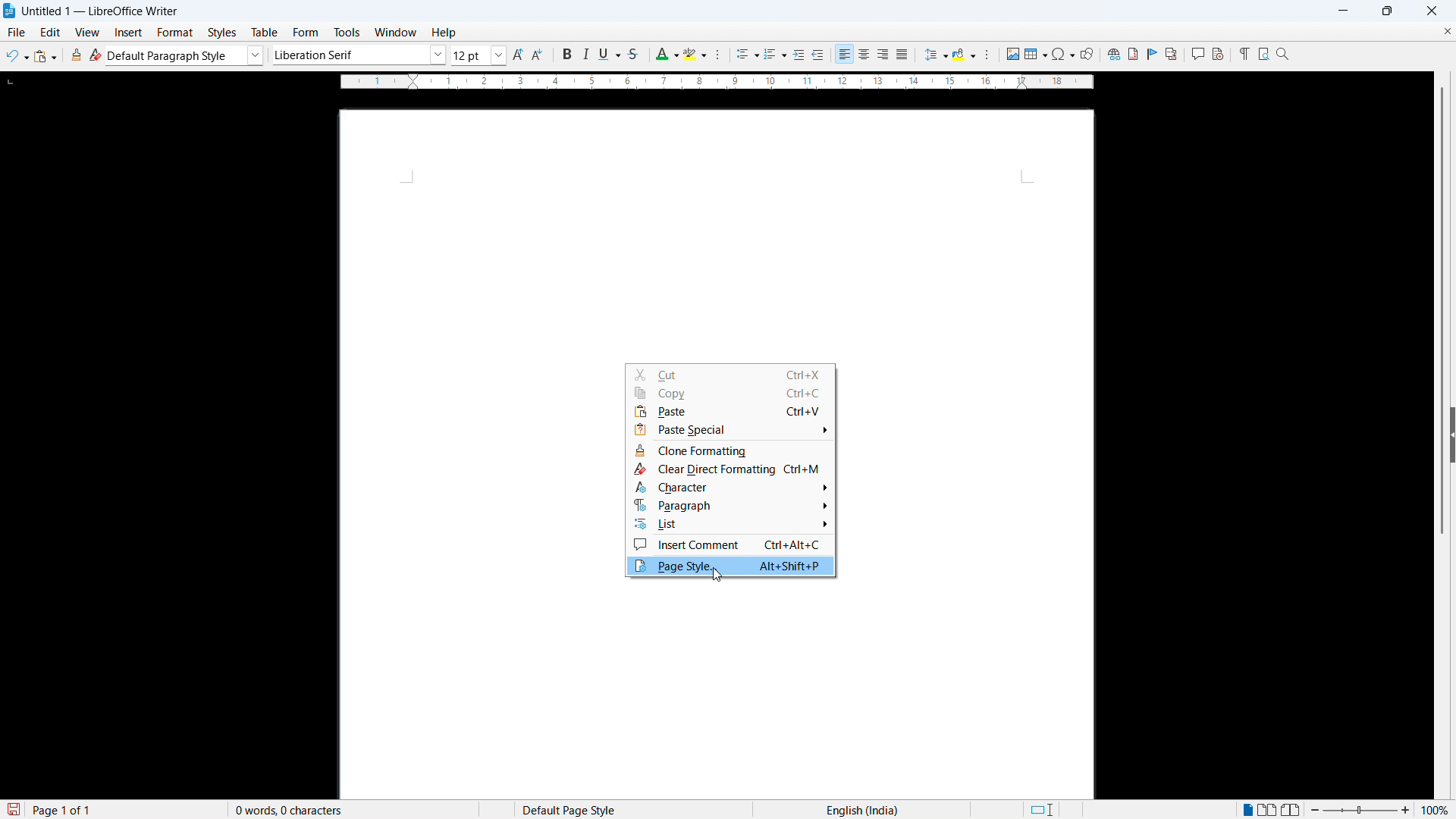 The image size is (1456, 819). Describe the element at coordinates (1388, 11) in the screenshot. I see `Maximise ` at that location.